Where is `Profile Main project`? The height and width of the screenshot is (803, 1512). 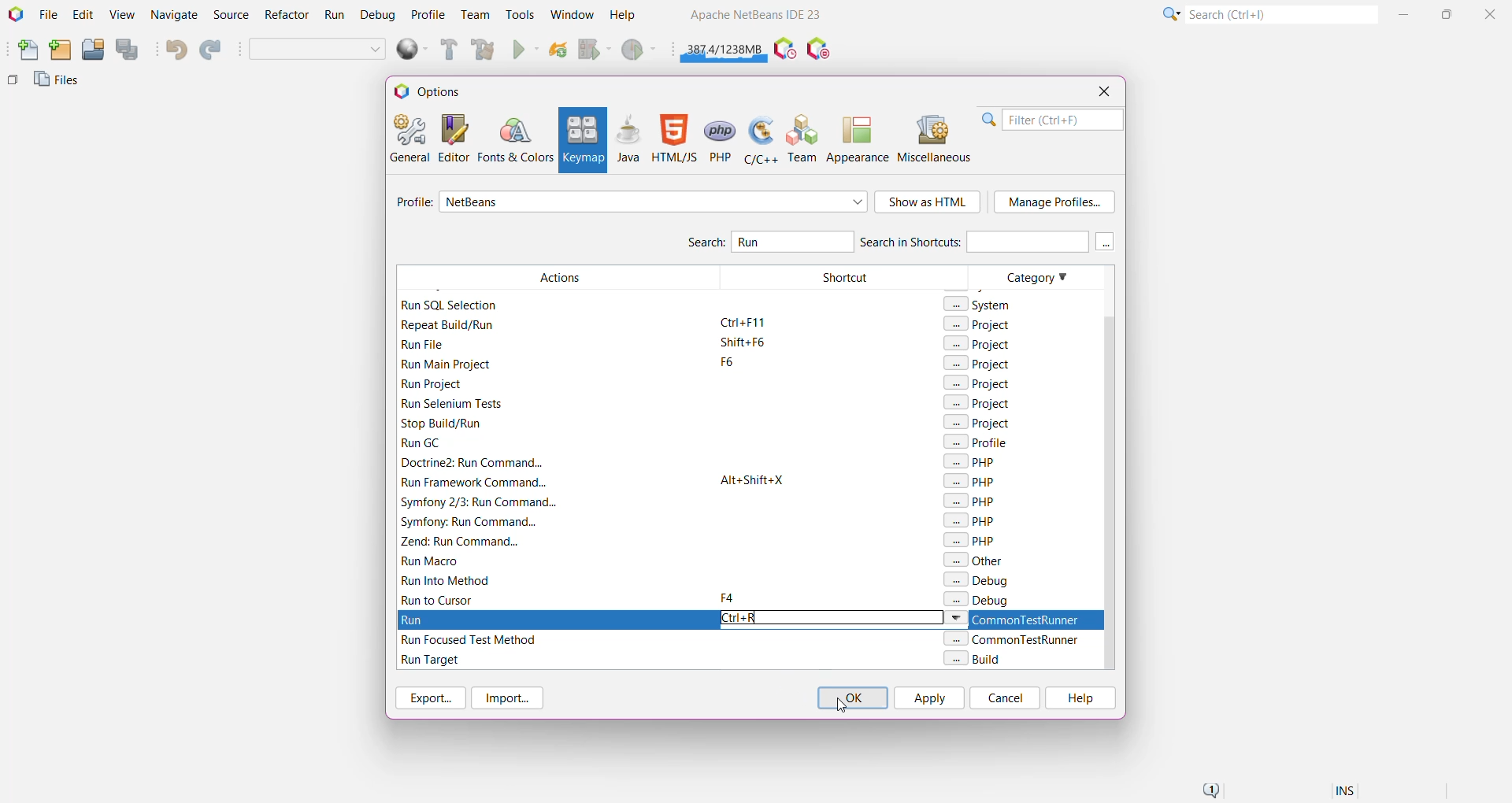
Profile Main project is located at coordinates (640, 51).